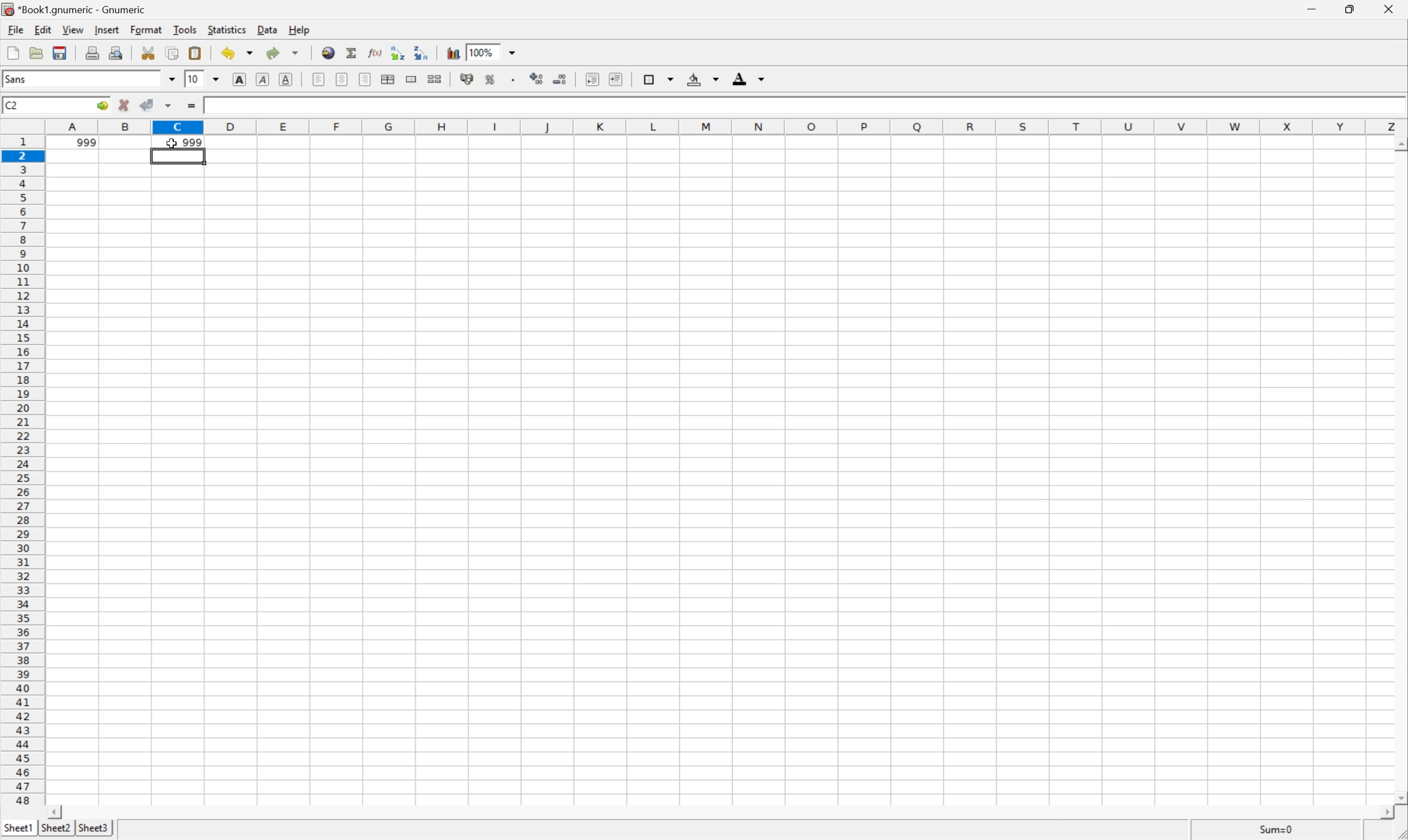 Image resolution: width=1408 pixels, height=840 pixels. What do you see at coordinates (149, 56) in the screenshot?
I see `cut` at bounding box center [149, 56].